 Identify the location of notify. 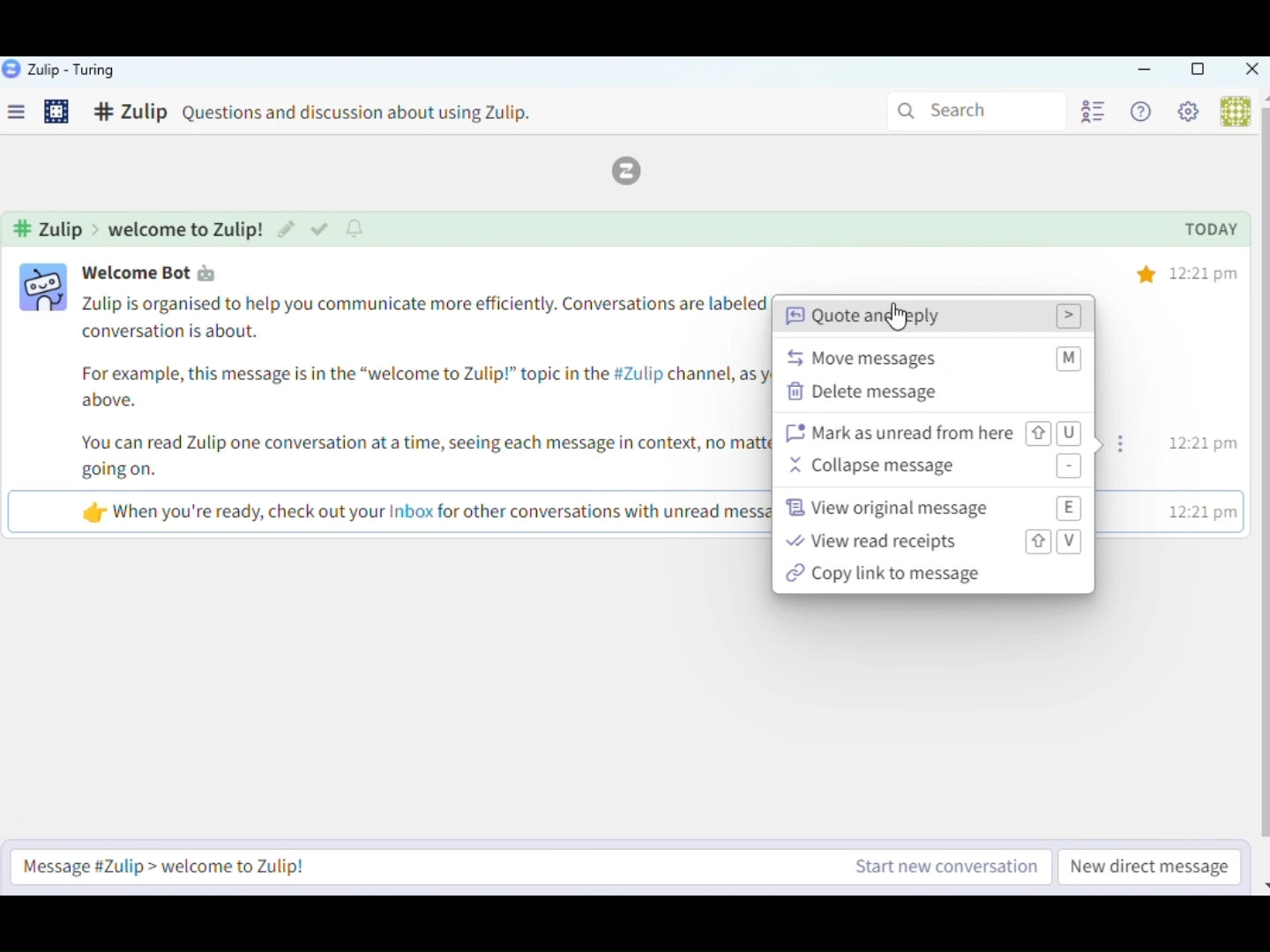
(357, 228).